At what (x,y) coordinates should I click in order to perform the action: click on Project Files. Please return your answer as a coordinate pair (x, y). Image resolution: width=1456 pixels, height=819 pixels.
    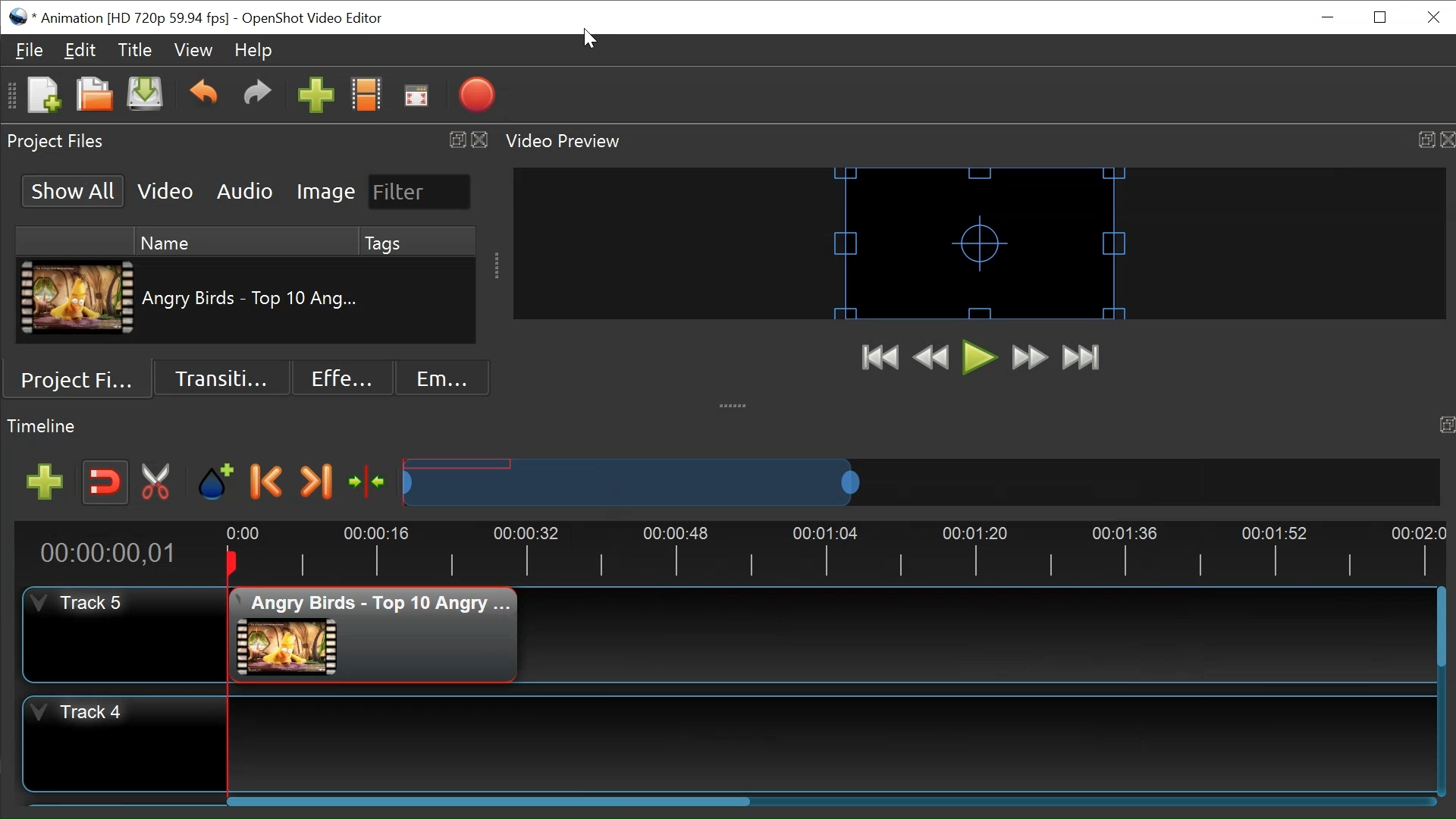
    Looking at the image, I should click on (79, 377).